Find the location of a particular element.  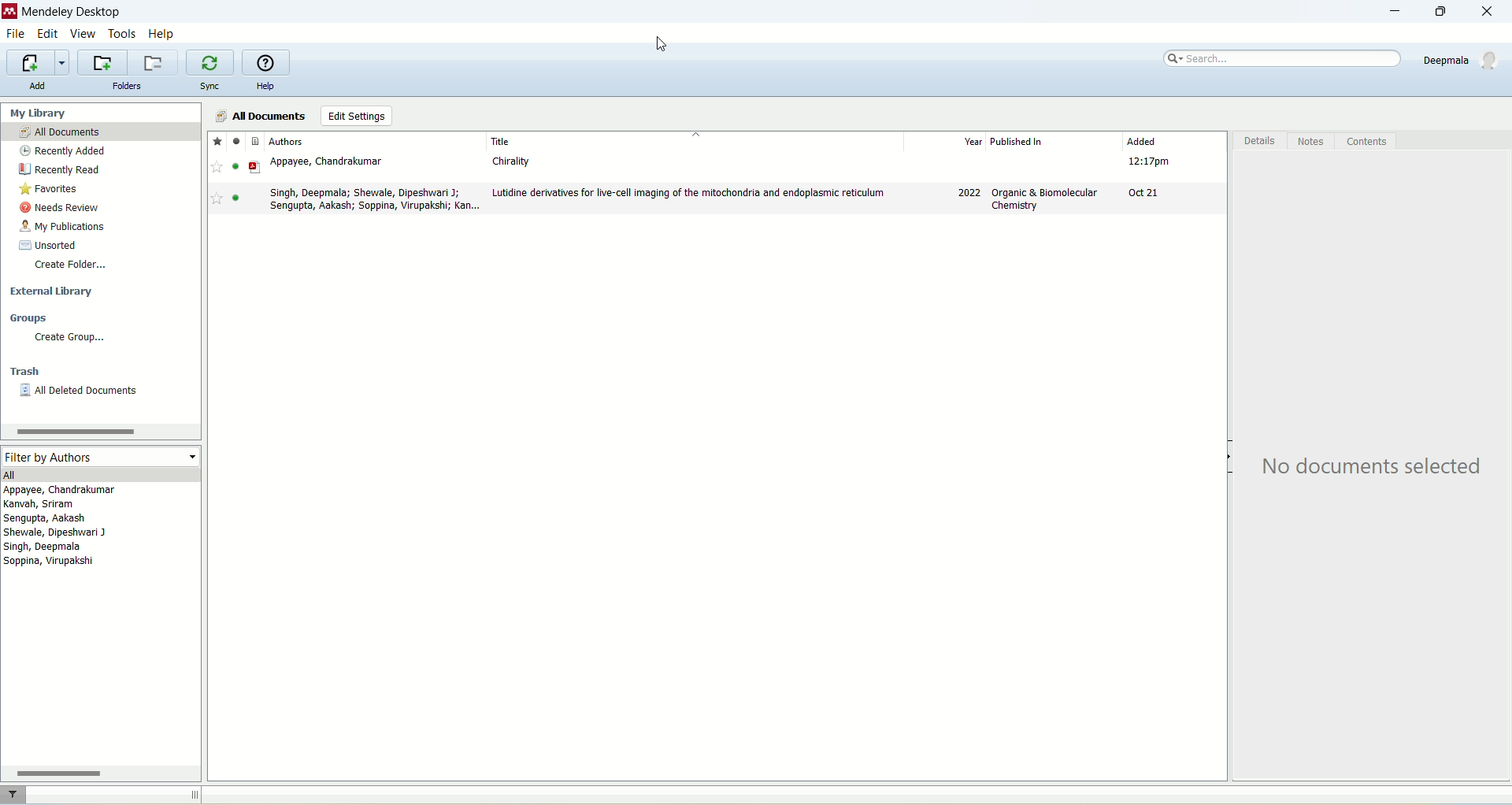

view is located at coordinates (83, 33).